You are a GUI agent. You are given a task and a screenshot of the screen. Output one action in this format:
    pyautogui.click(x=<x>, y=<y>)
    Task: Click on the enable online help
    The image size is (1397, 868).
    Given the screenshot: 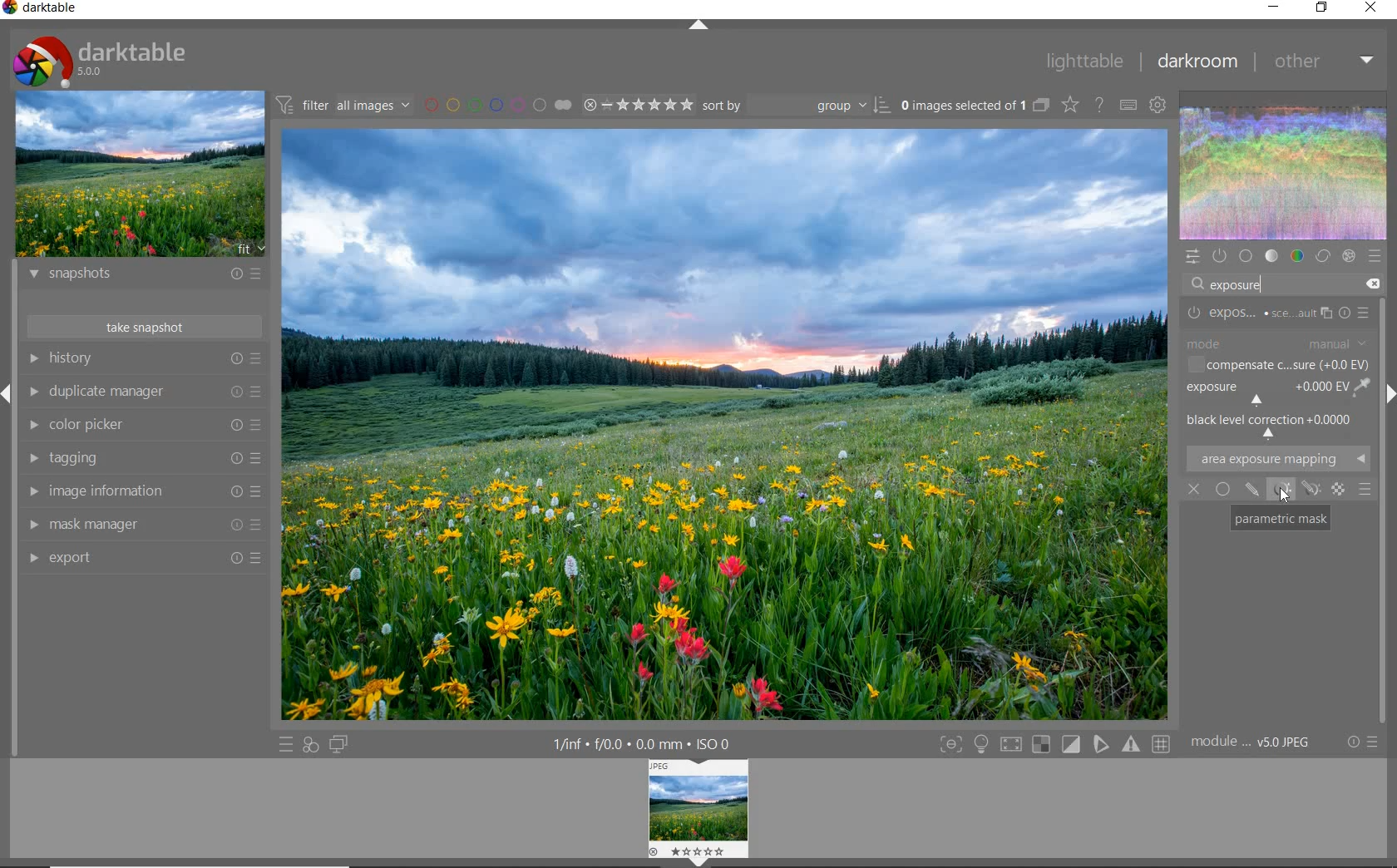 What is the action you would take?
    pyautogui.click(x=1098, y=106)
    